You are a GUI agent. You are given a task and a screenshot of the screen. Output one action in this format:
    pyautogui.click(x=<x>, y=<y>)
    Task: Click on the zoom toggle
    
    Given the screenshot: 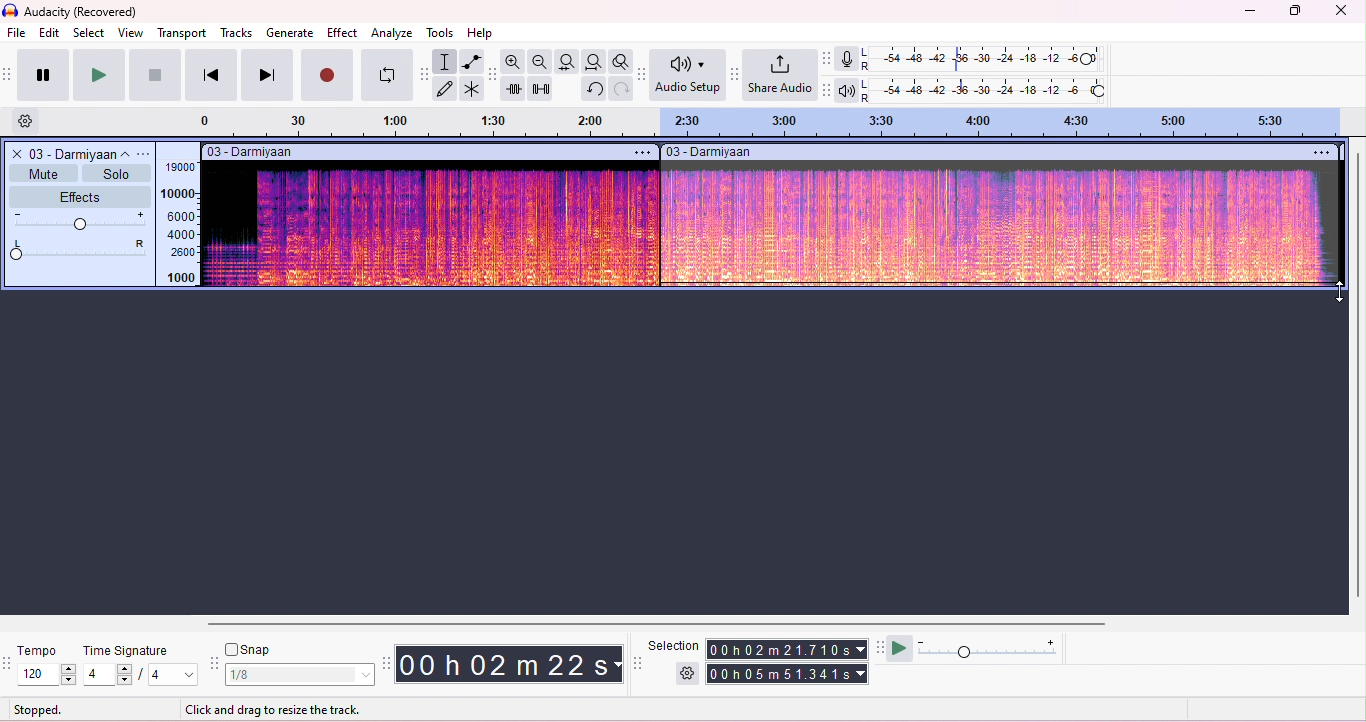 What is the action you would take?
    pyautogui.click(x=618, y=61)
    